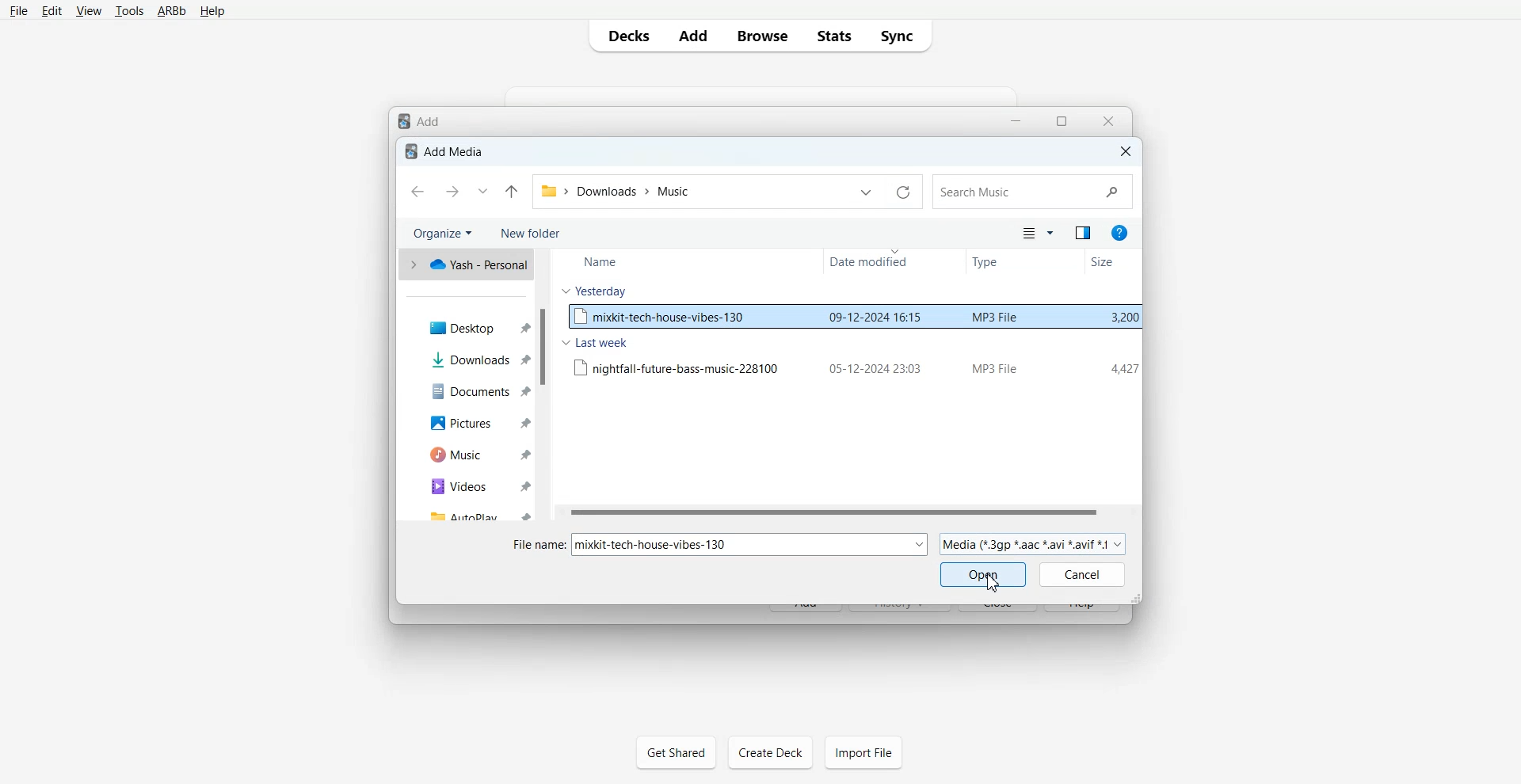 The image size is (1521, 784). Describe the element at coordinates (478, 359) in the screenshot. I see `Downloads` at that location.